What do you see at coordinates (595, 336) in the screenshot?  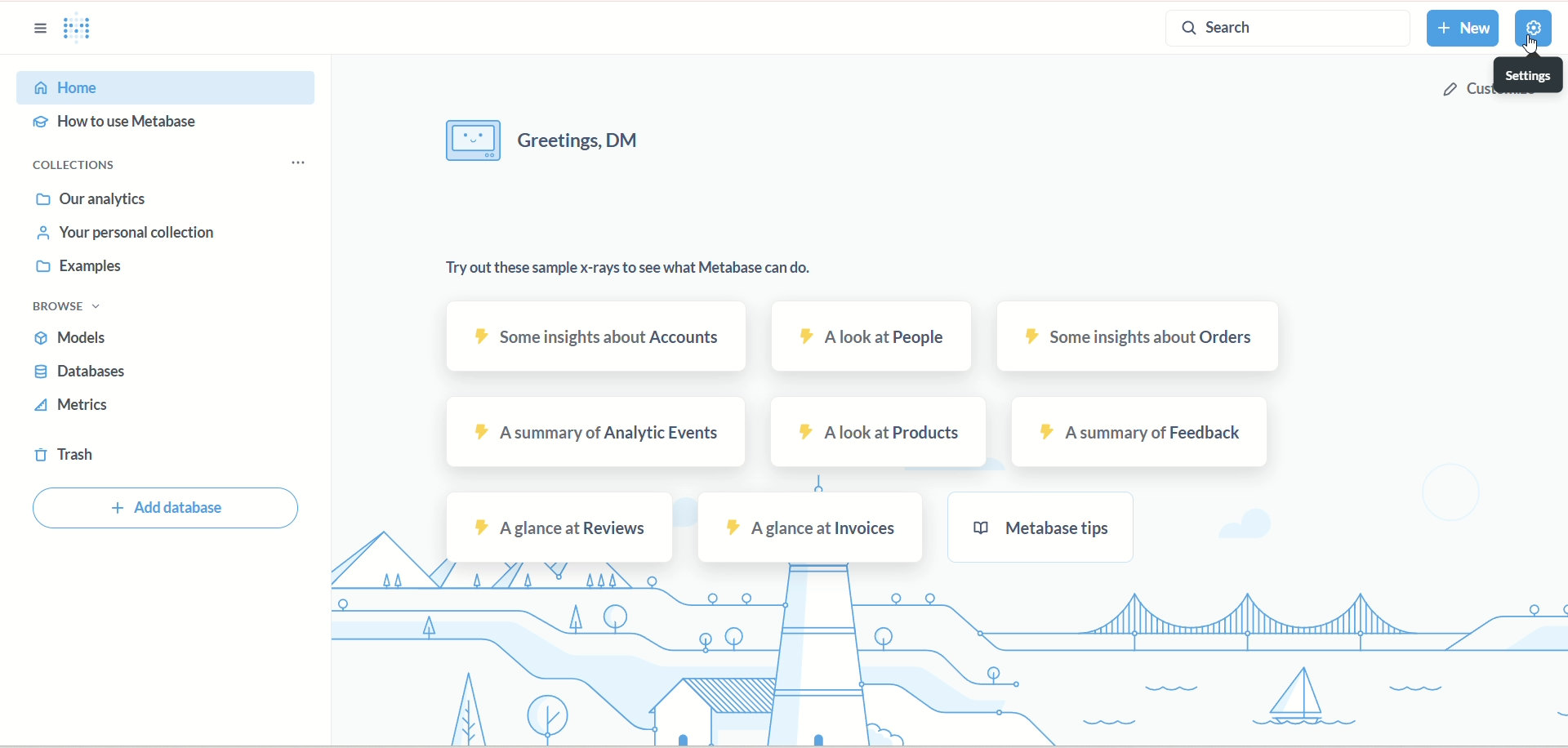 I see `Some insights about accounts` at bounding box center [595, 336].